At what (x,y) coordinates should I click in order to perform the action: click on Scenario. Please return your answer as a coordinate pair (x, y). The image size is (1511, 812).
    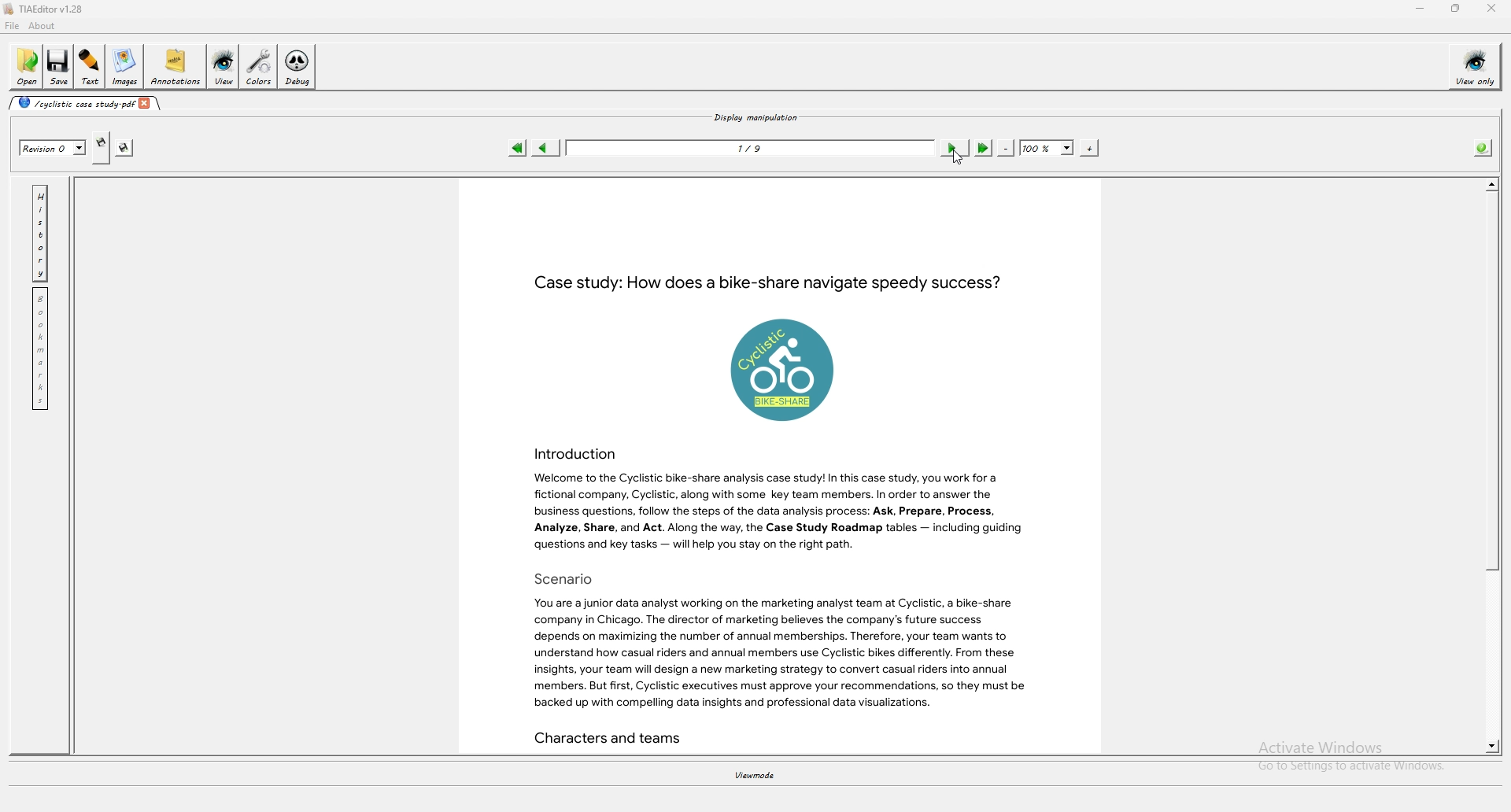
    Looking at the image, I should click on (568, 579).